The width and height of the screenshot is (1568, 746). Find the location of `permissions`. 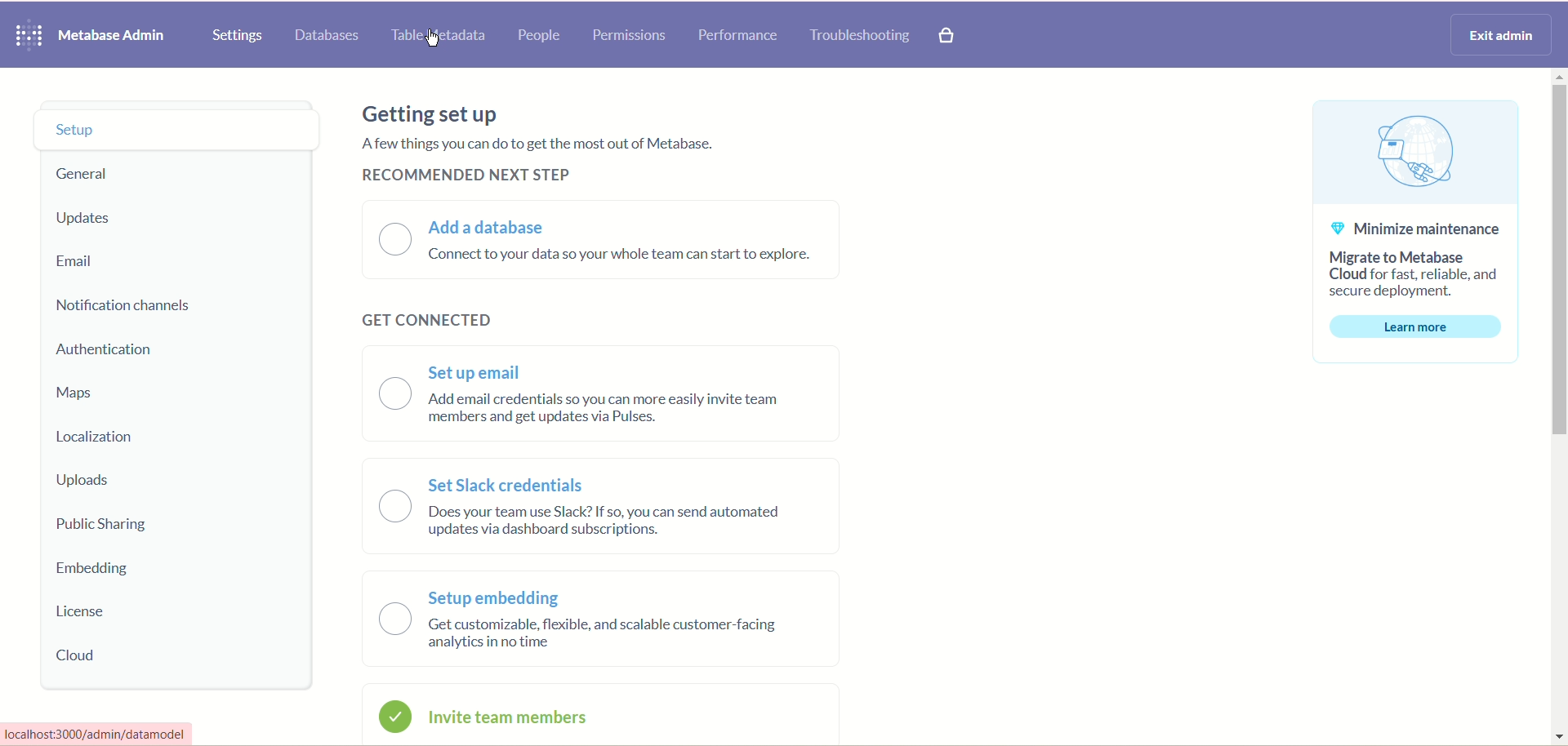

permissions is located at coordinates (630, 36).